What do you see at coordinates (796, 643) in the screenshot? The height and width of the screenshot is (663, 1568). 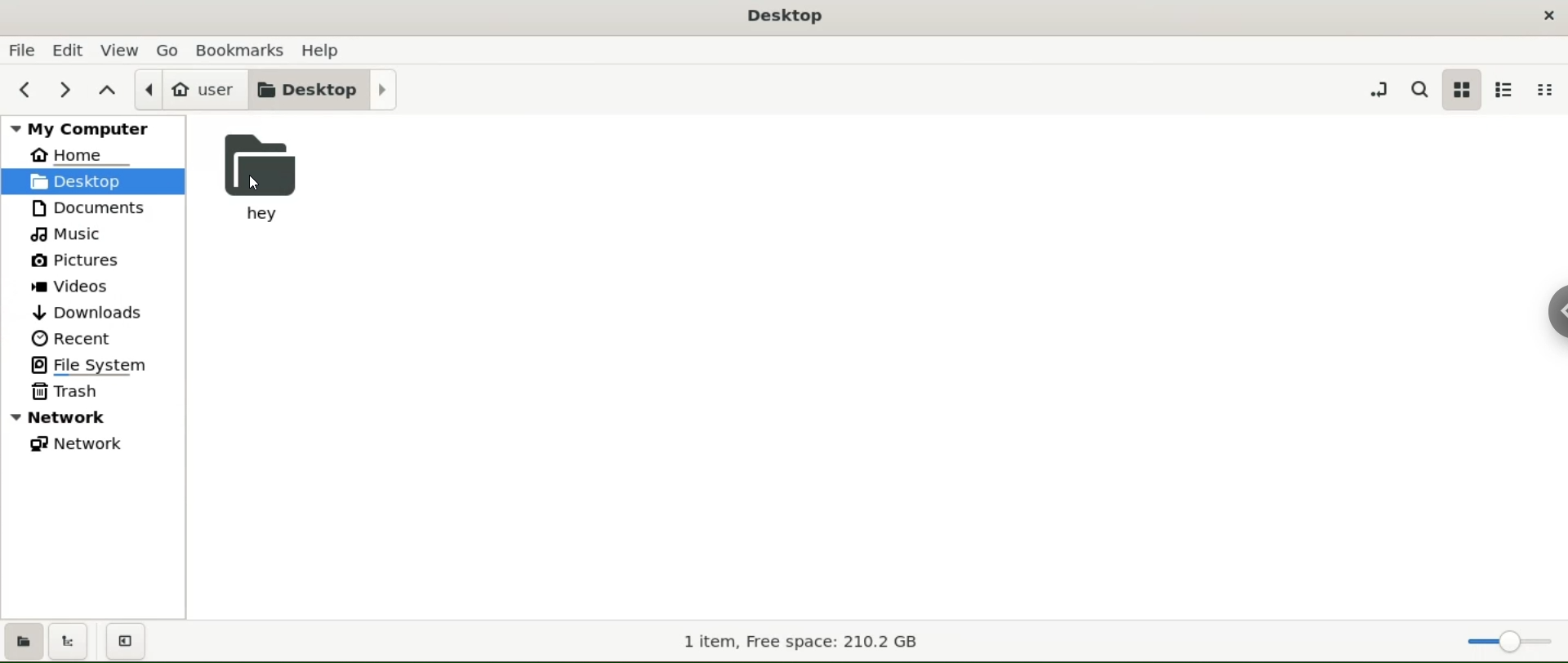 I see `storage` at bounding box center [796, 643].